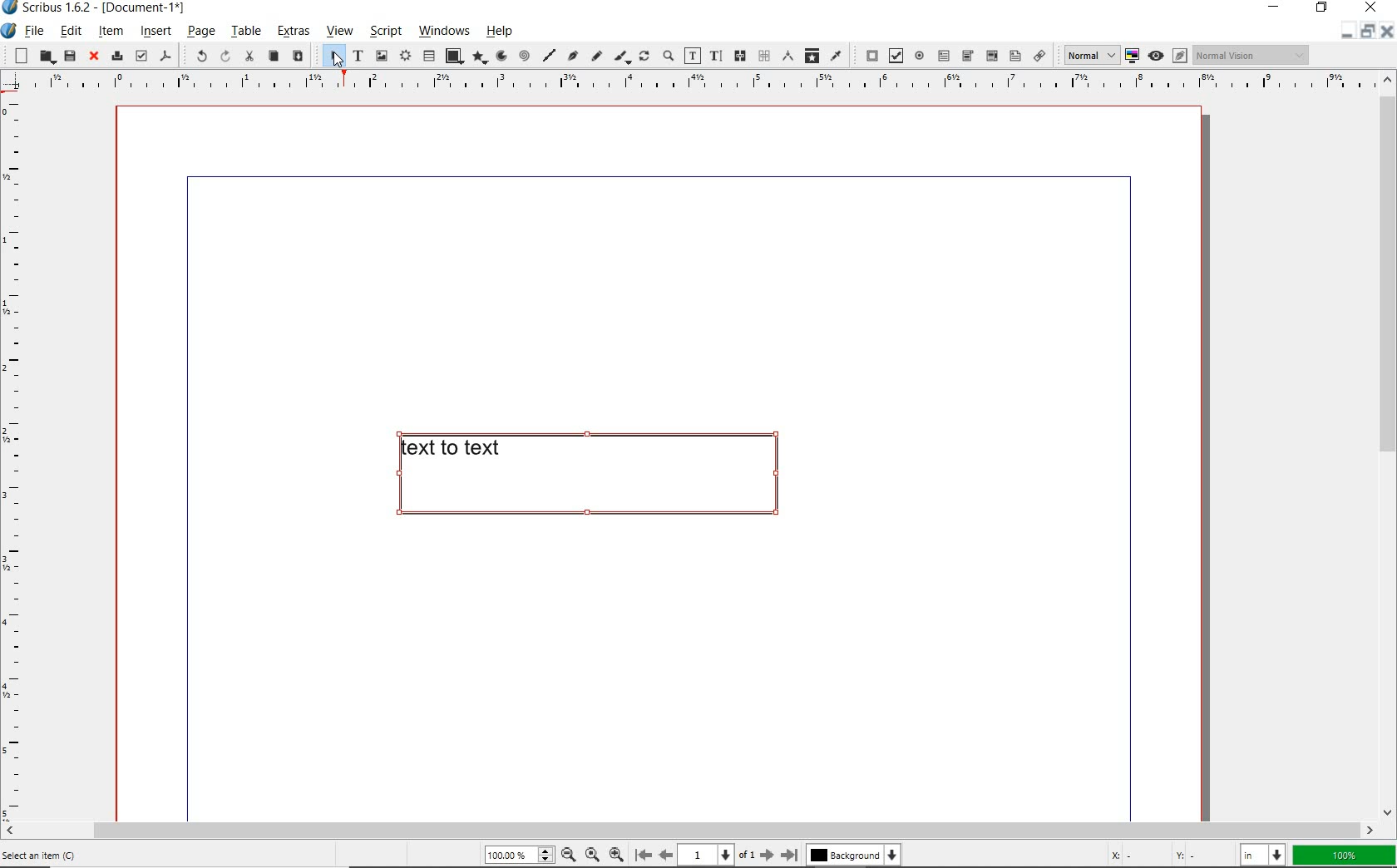 The image size is (1397, 868). Describe the element at coordinates (642, 856) in the screenshot. I see `First page` at that location.